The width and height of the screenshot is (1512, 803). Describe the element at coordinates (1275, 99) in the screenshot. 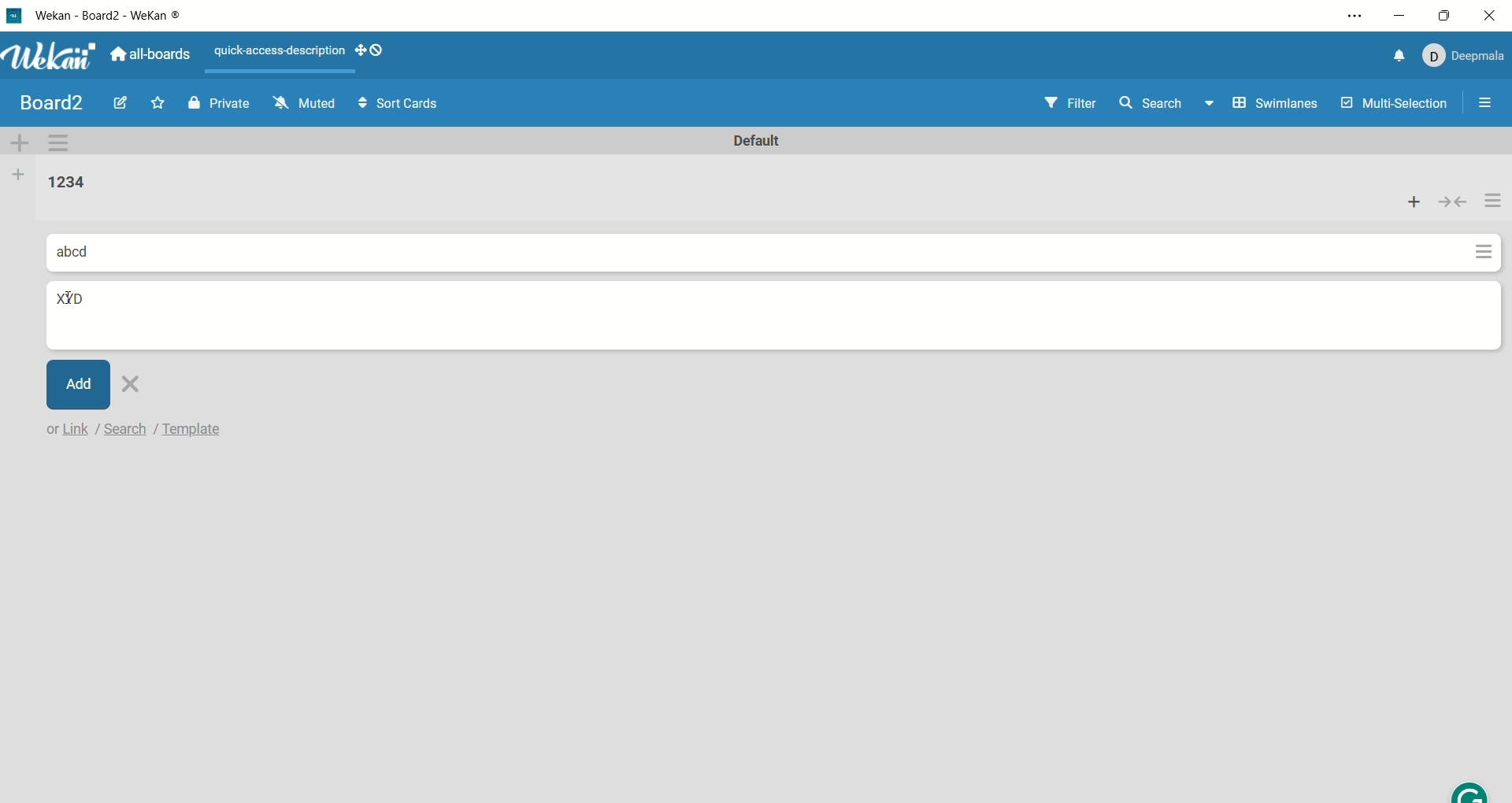

I see `swimlanes` at that location.